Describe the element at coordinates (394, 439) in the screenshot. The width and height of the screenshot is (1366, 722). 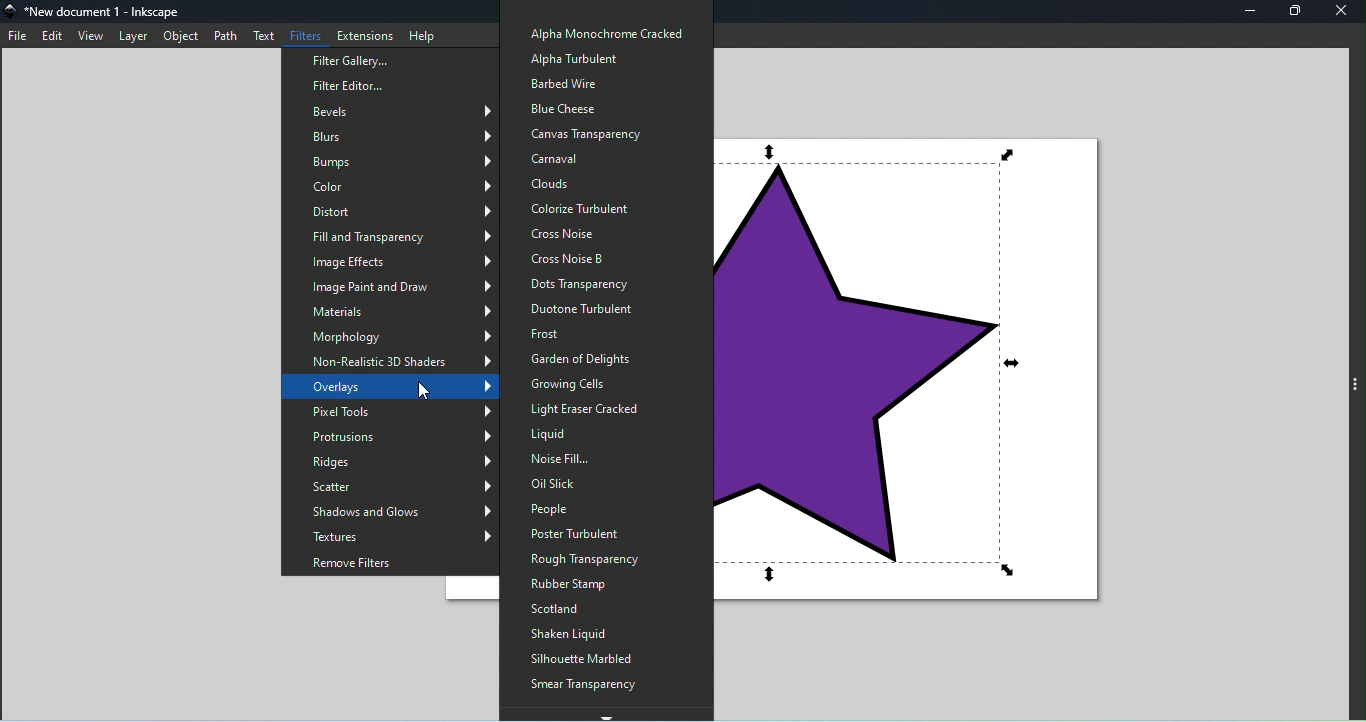
I see `Portrusions` at that location.